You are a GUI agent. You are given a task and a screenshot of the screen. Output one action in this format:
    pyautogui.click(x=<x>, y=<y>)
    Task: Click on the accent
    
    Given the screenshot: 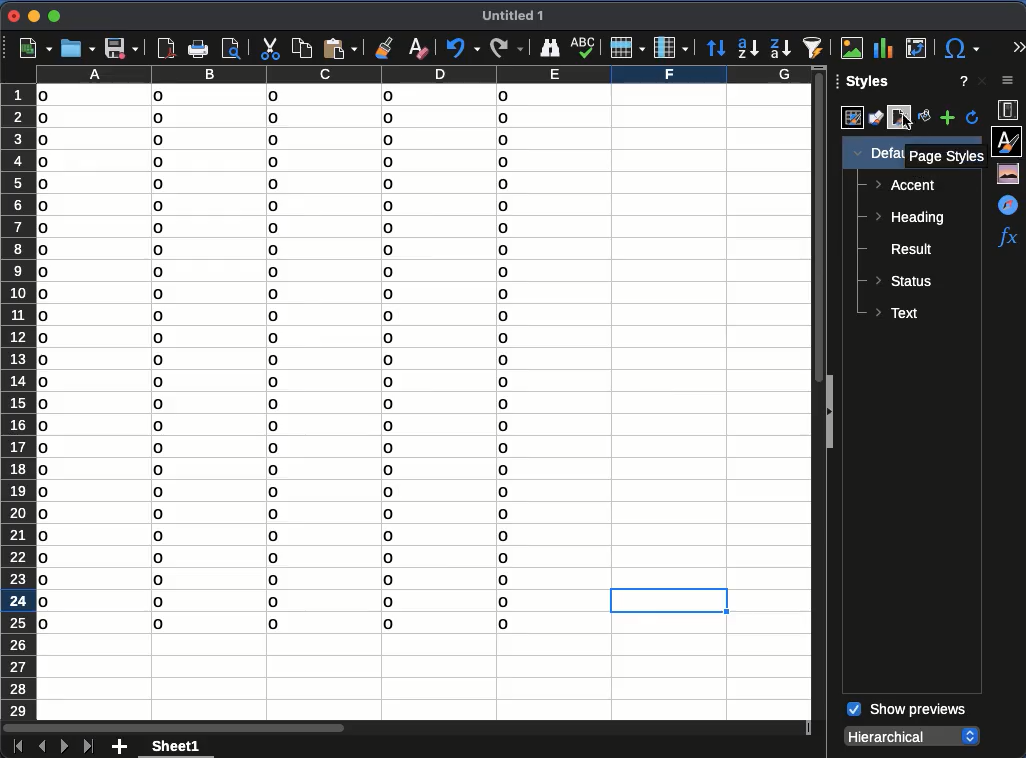 What is the action you would take?
    pyautogui.click(x=903, y=187)
    